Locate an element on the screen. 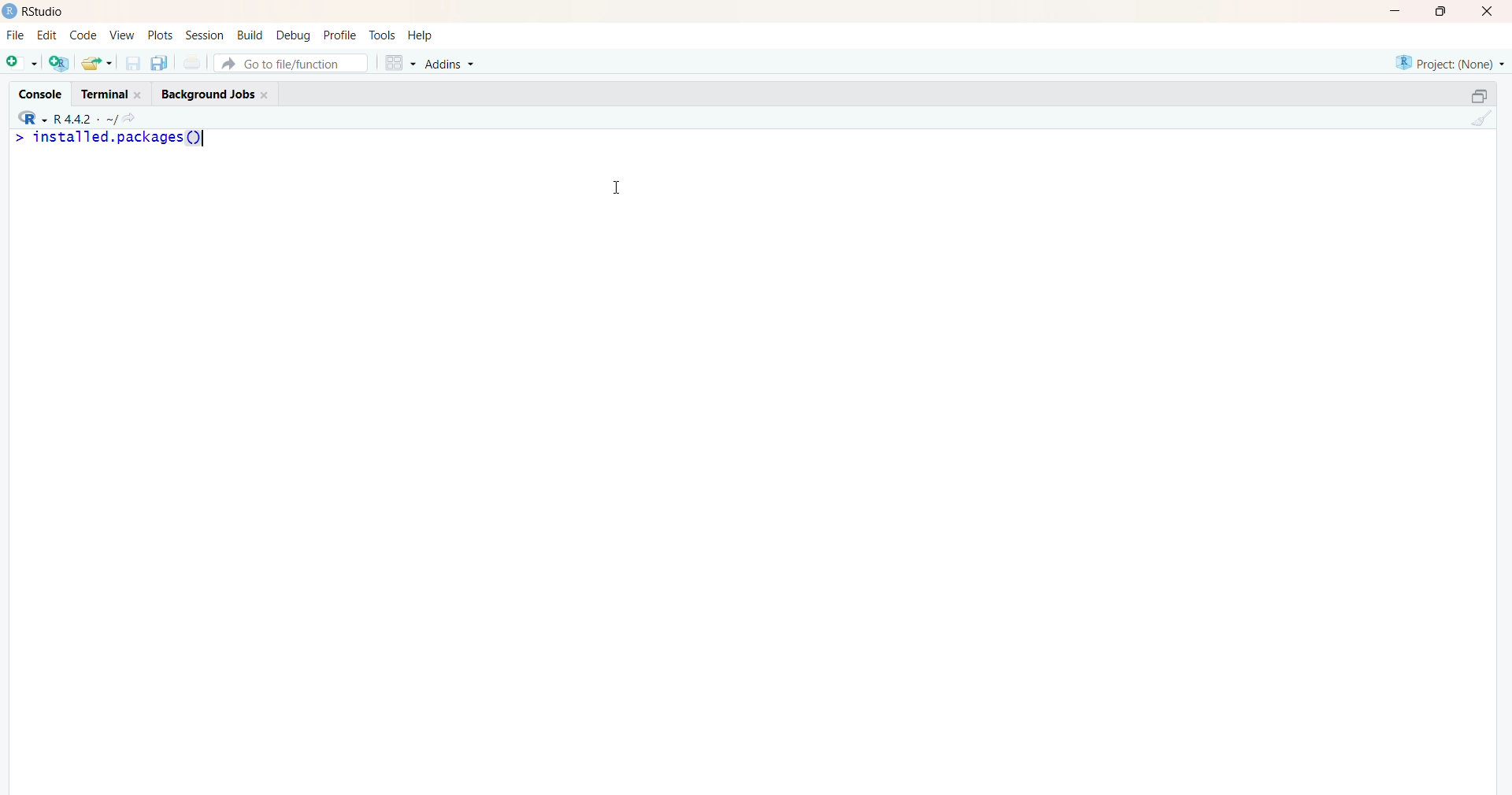 The width and height of the screenshot is (1512, 795). help is located at coordinates (421, 35).